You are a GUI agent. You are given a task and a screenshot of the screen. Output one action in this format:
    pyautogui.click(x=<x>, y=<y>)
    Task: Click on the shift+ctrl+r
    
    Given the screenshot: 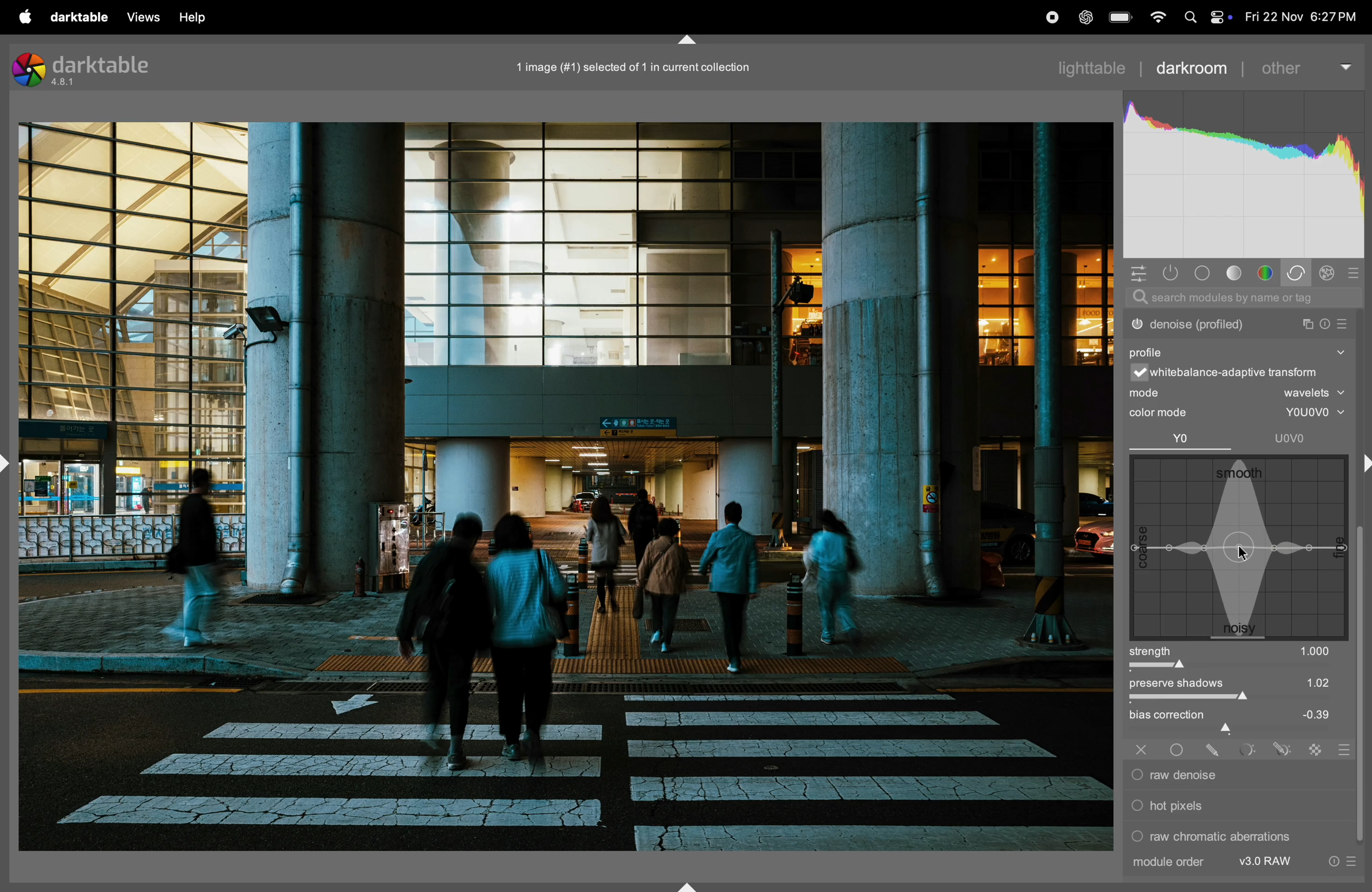 What is the action you would take?
    pyautogui.click(x=1363, y=462)
    